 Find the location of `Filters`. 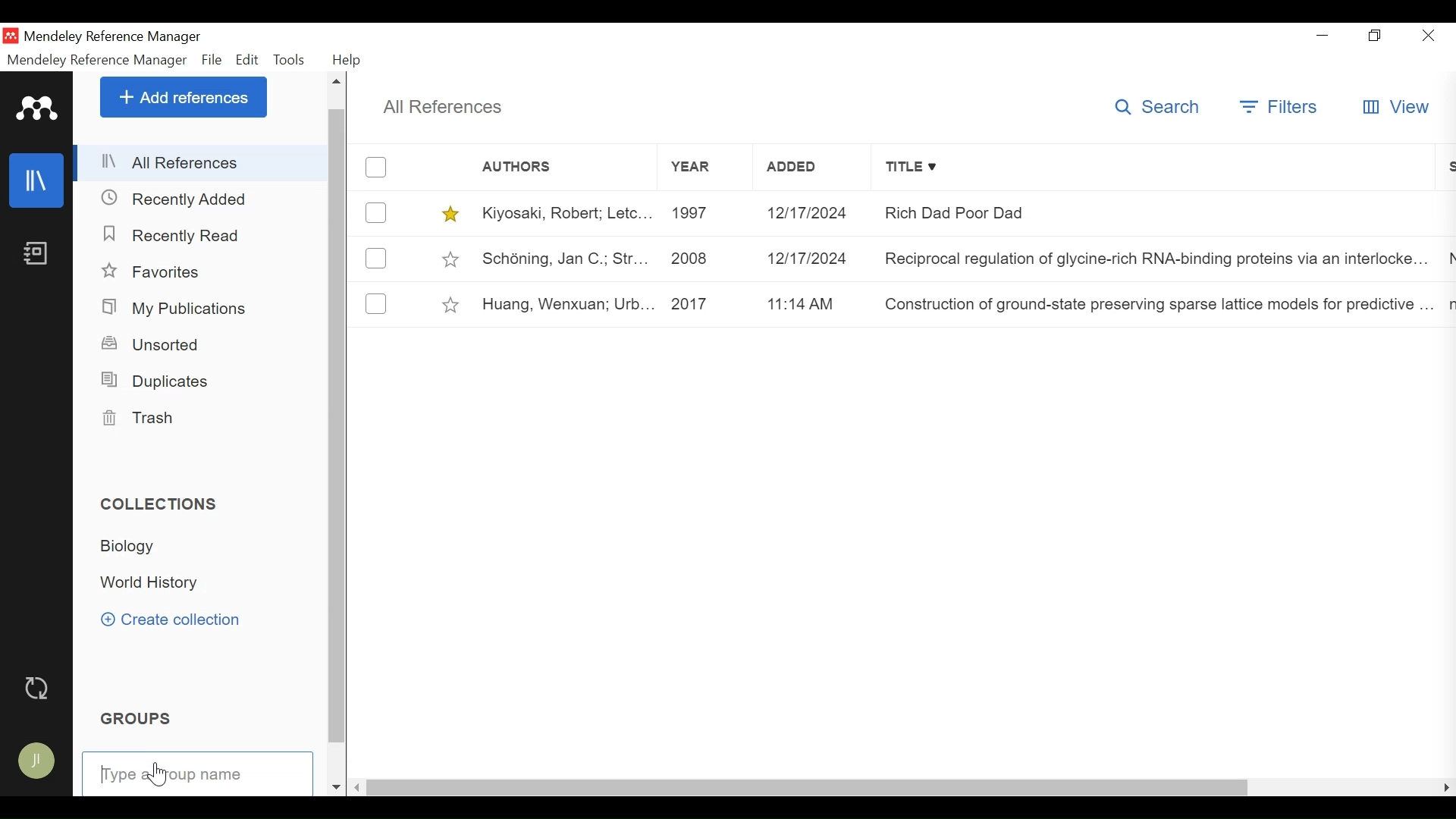

Filters is located at coordinates (1278, 106).